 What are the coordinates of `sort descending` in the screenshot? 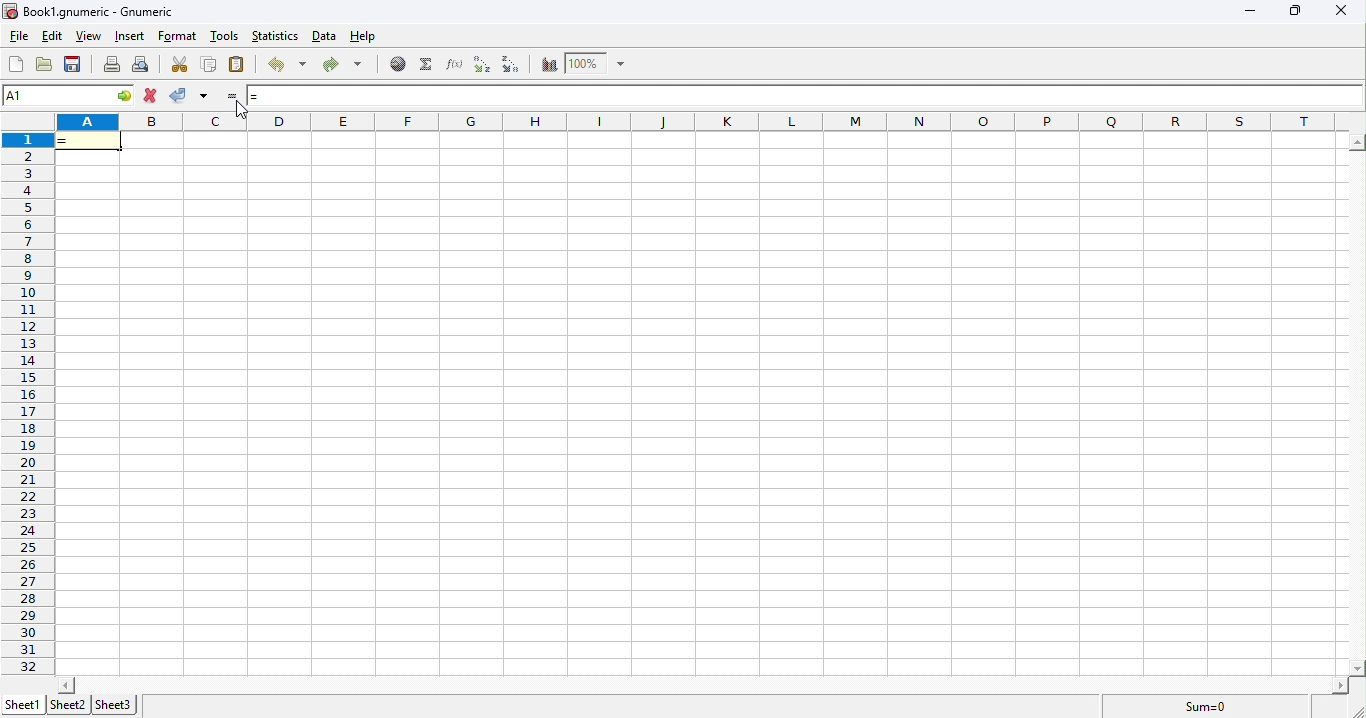 It's located at (512, 65).